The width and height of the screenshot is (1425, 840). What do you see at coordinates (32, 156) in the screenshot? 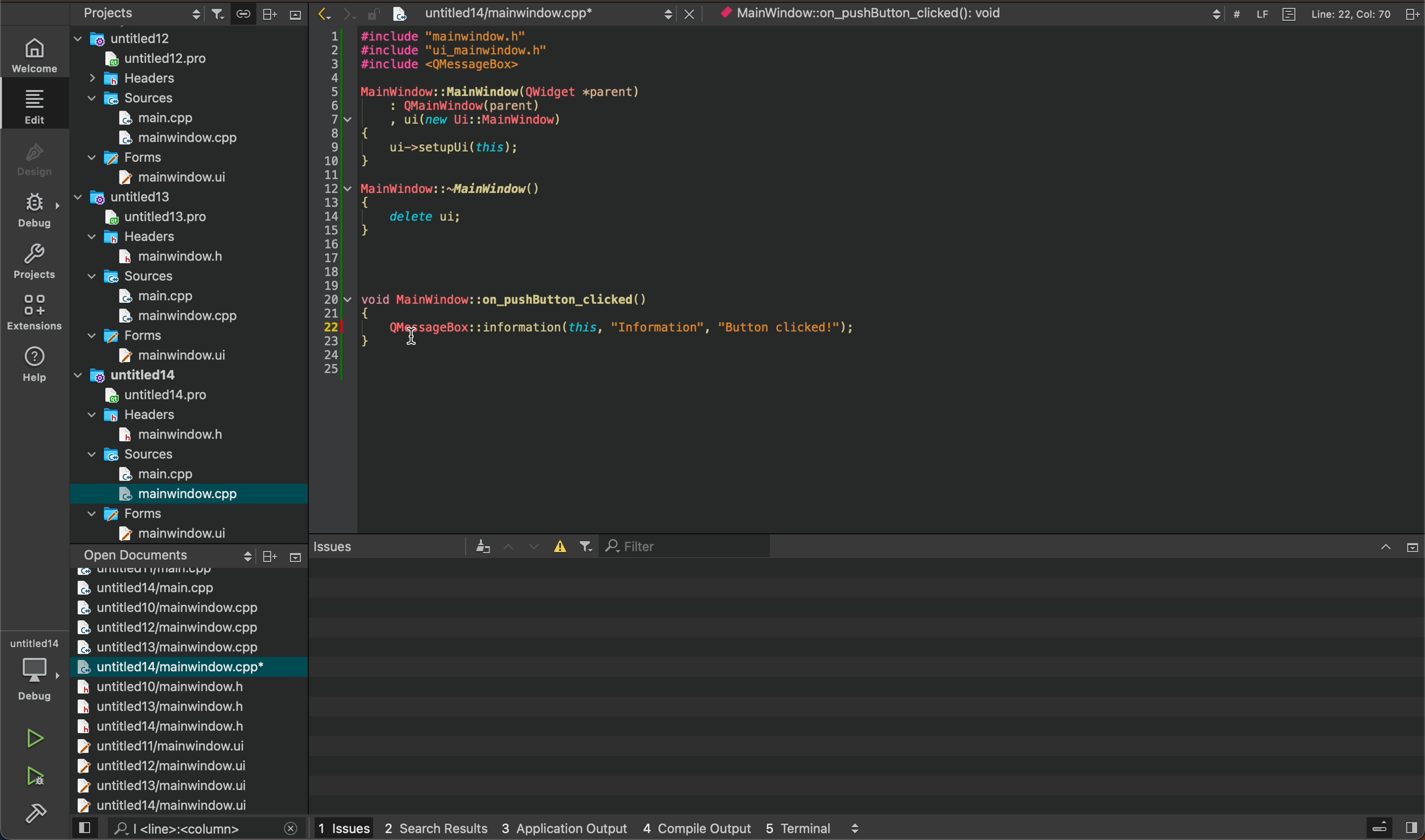
I see `DESIGN` at bounding box center [32, 156].